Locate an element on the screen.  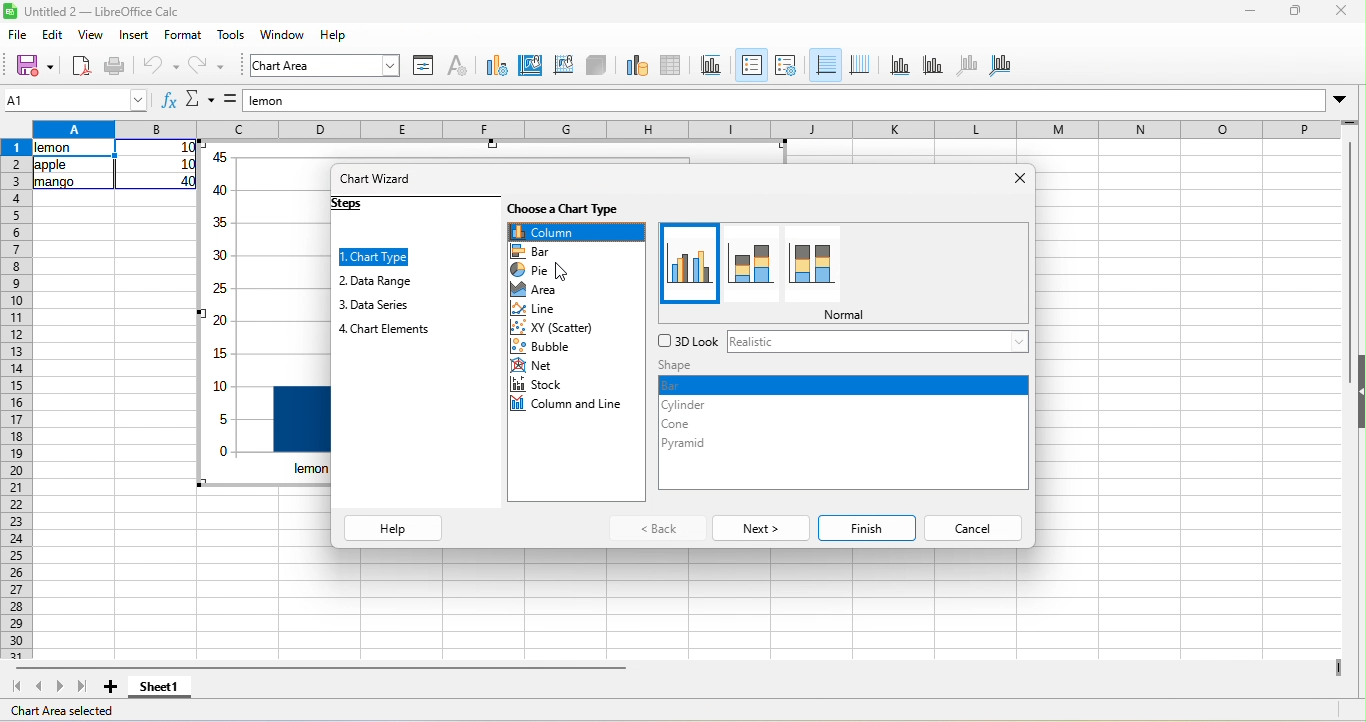
choose a chart type is located at coordinates (575, 212).